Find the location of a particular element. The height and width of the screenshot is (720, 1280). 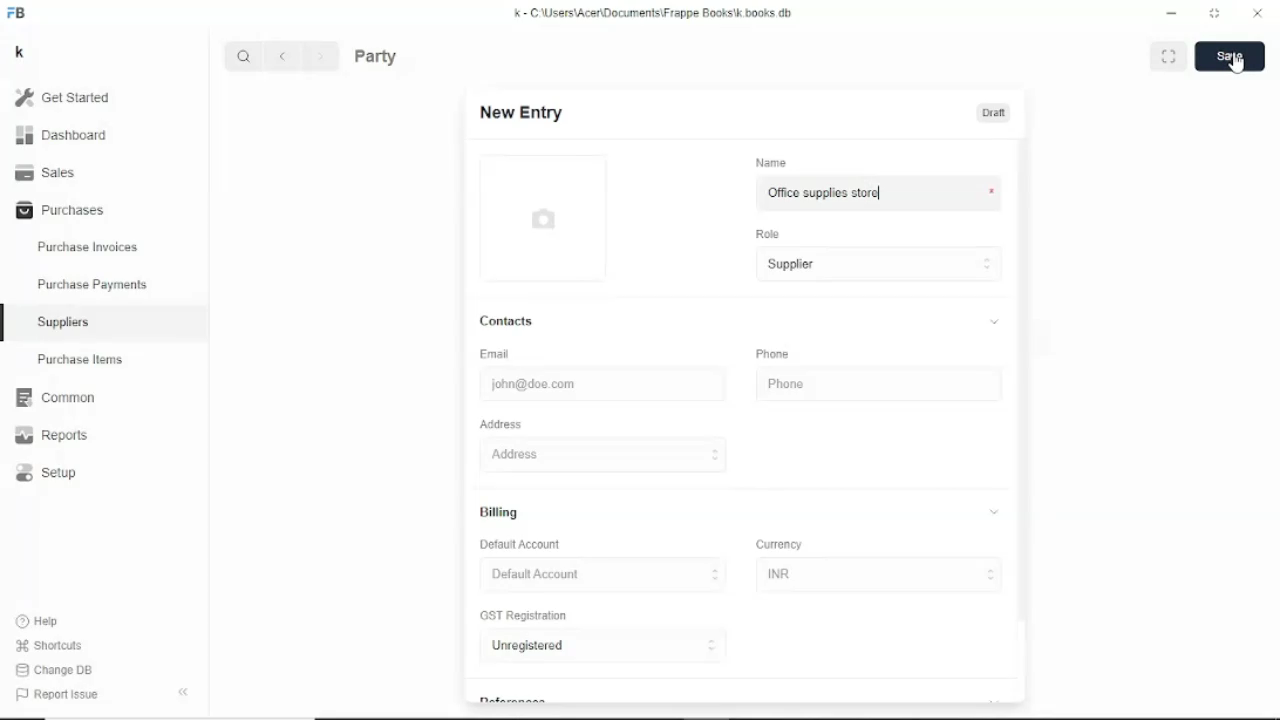

Reports is located at coordinates (53, 435).